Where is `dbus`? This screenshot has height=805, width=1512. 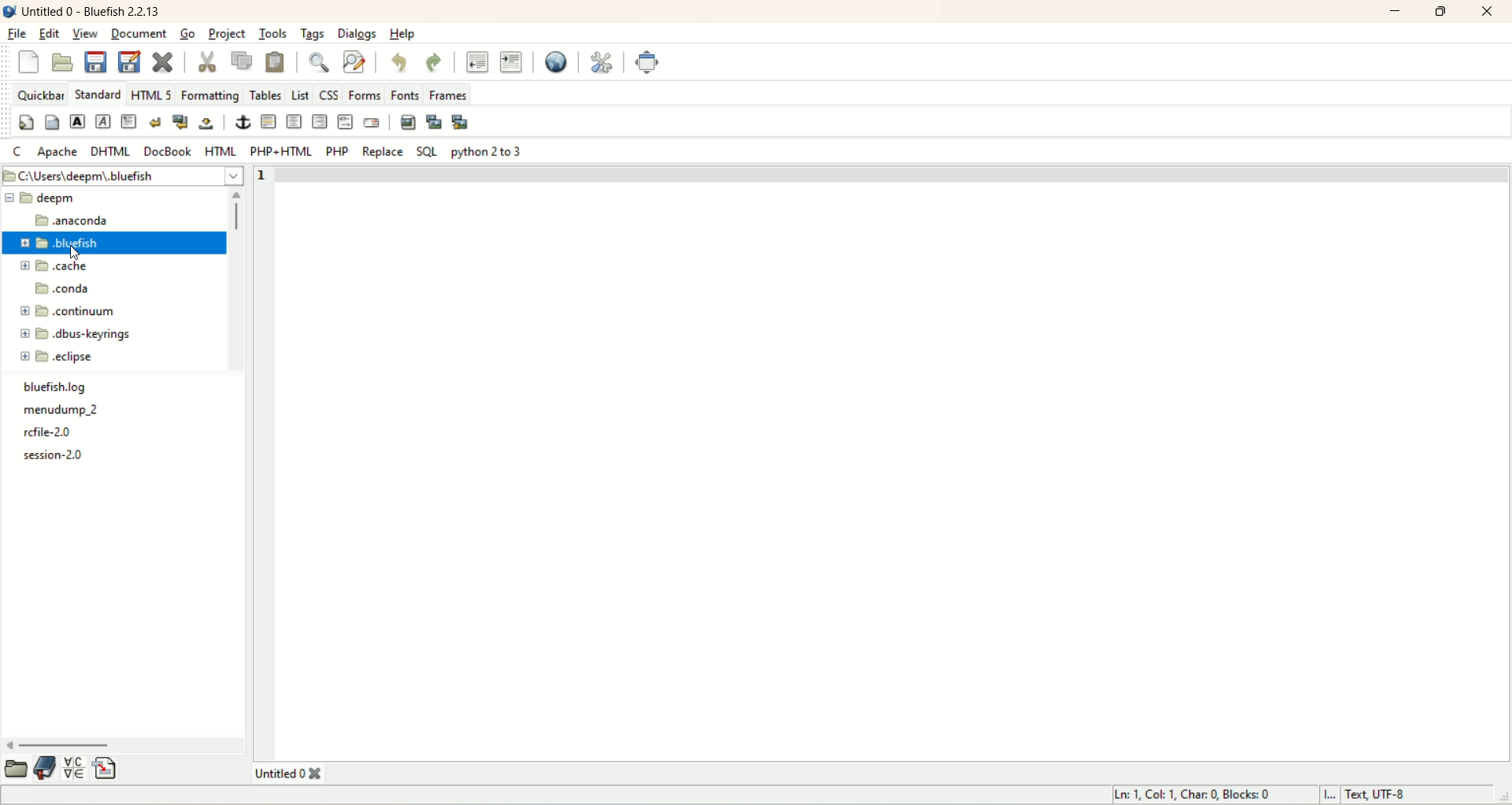
dbus is located at coordinates (76, 336).